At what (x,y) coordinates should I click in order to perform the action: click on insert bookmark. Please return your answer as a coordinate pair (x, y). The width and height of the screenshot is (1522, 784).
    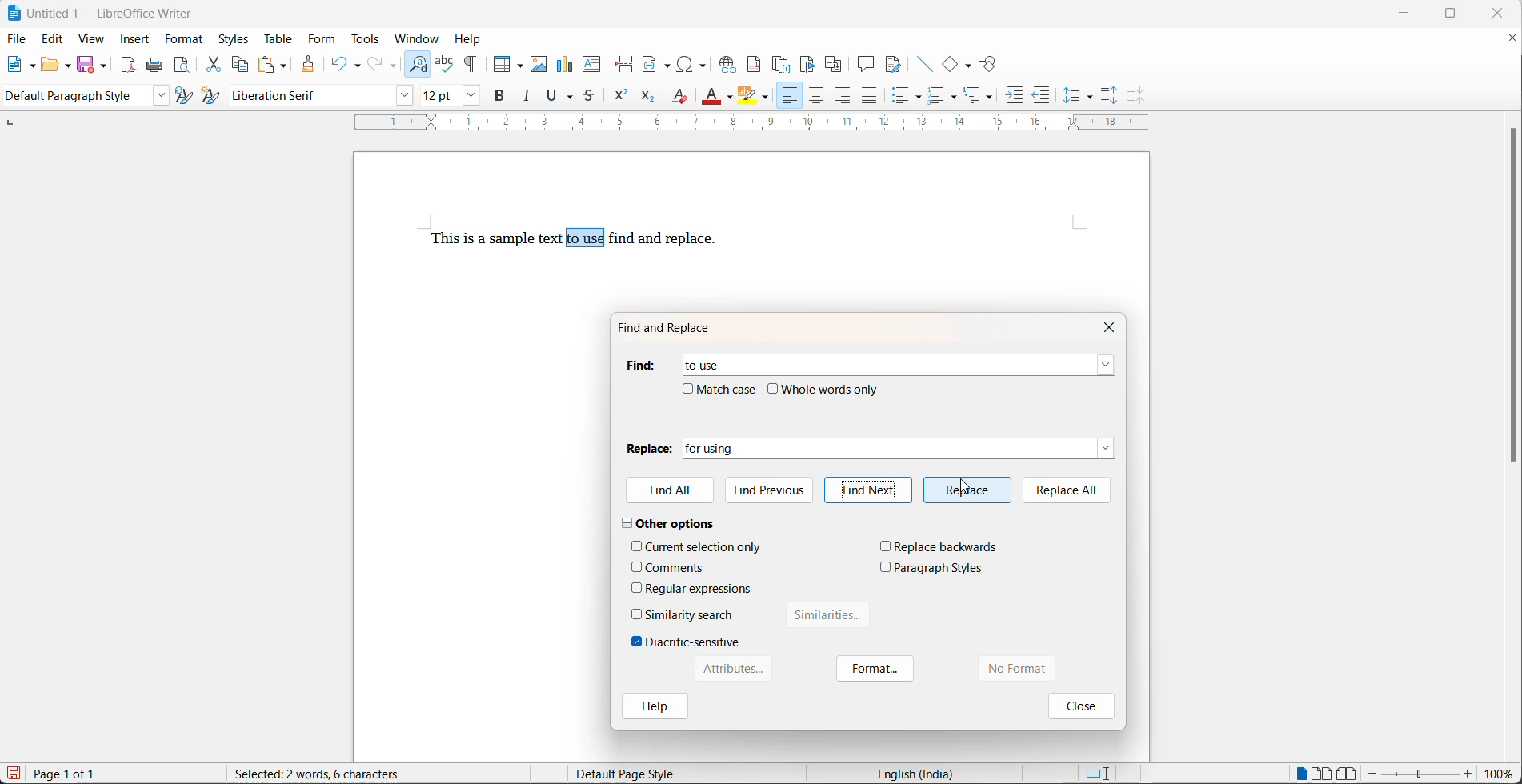
    Looking at the image, I should click on (811, 64).